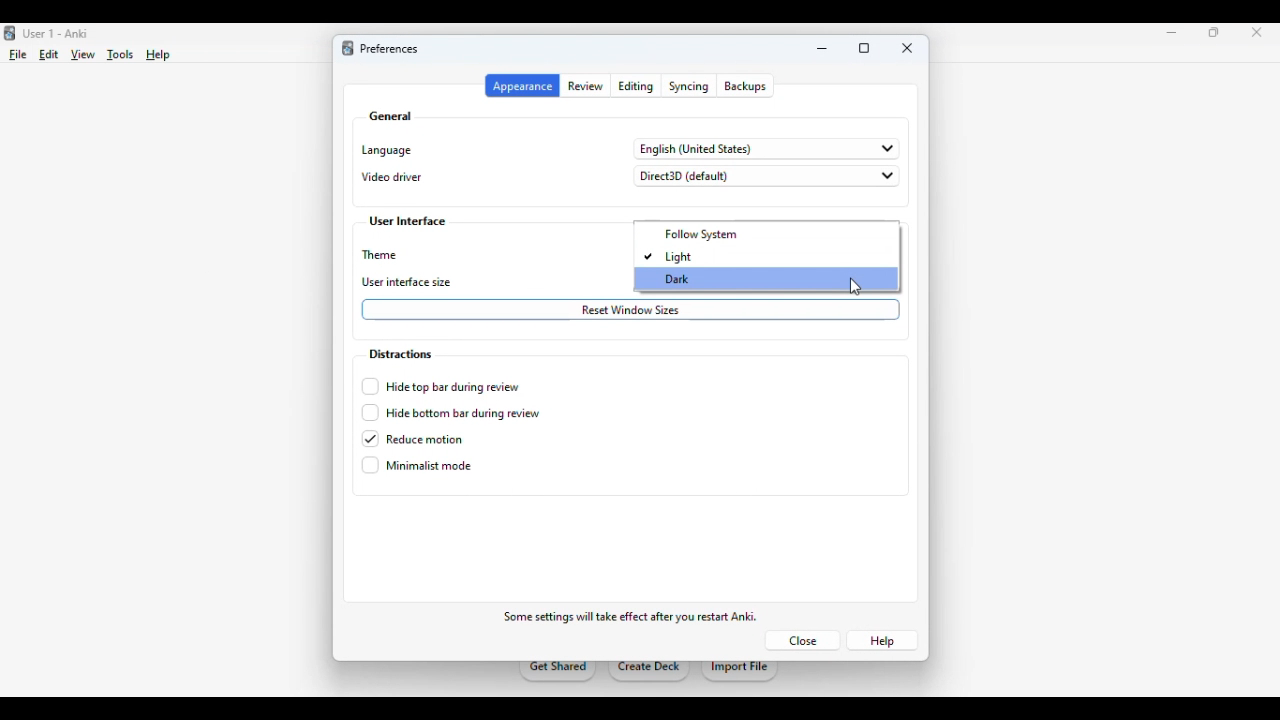 The image size is (1280, 720). Describe the element at coordinates (855, 286) in the screenshot. I see `cursor` at that location.